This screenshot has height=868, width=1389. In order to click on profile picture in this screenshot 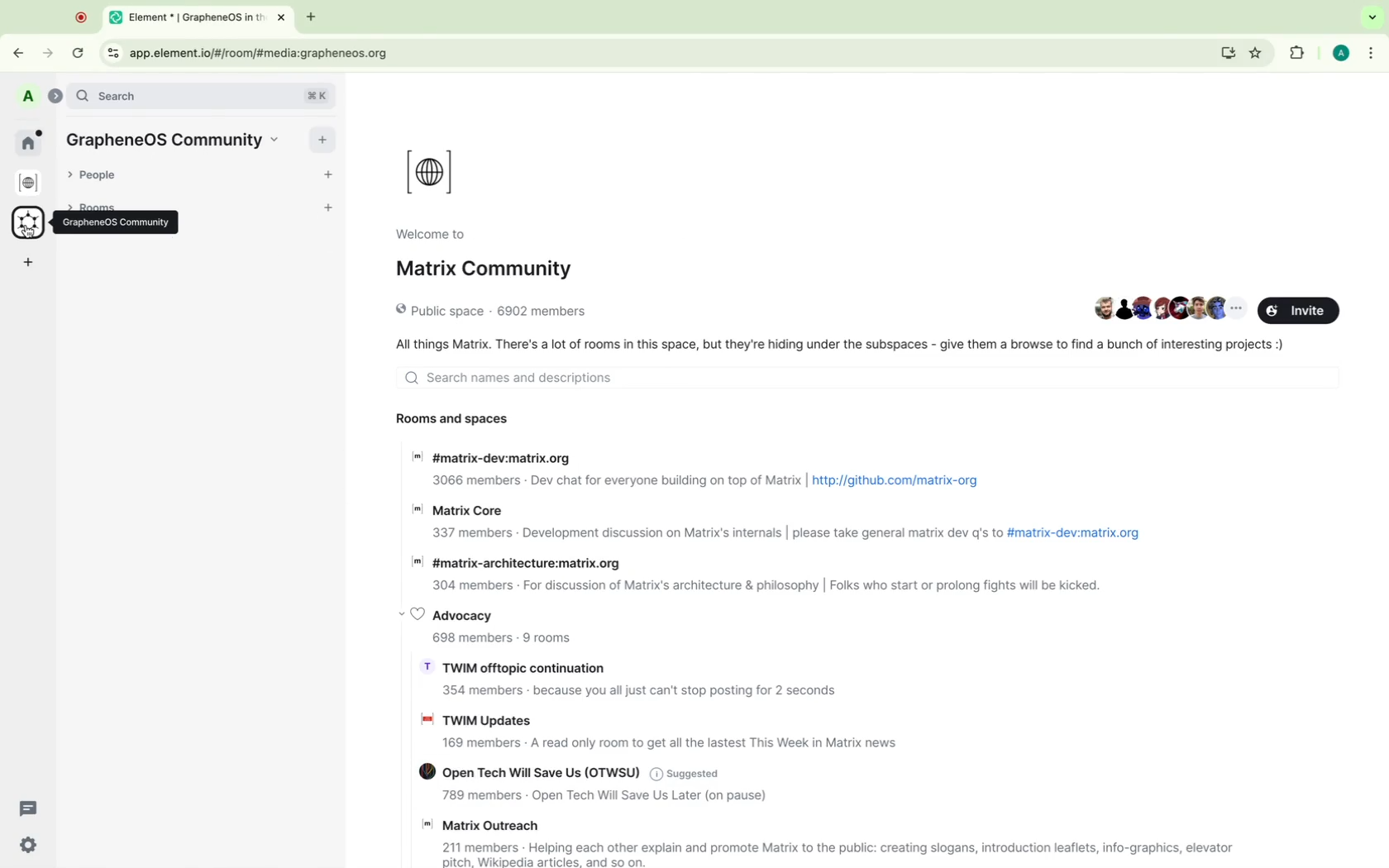, I will do `click(27, 96)`.